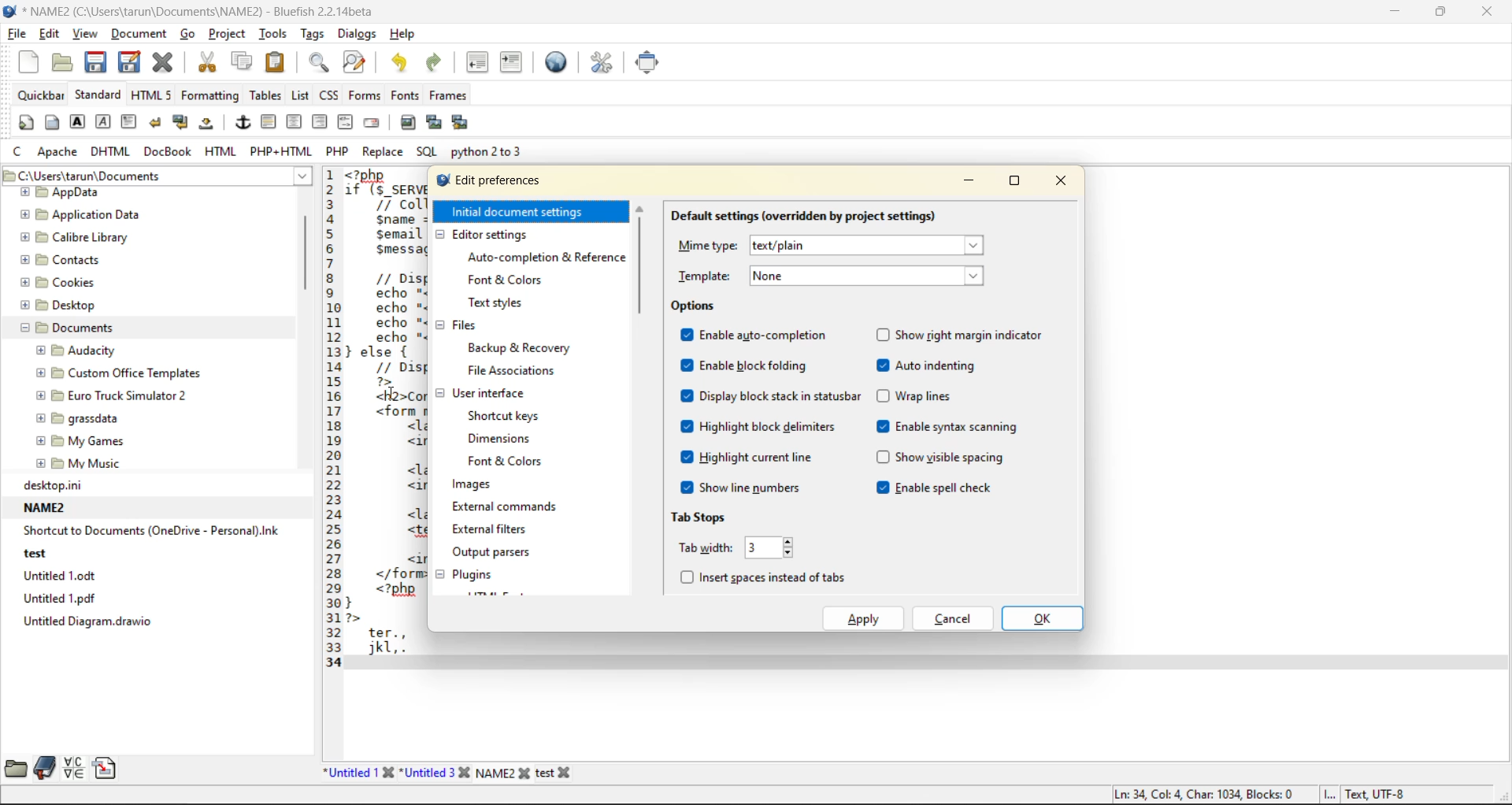  What do you see at coordinates (108, 397) in the screenshot?
I see ` Euro Truck Simulator 2` at bounding box center [108, 397].